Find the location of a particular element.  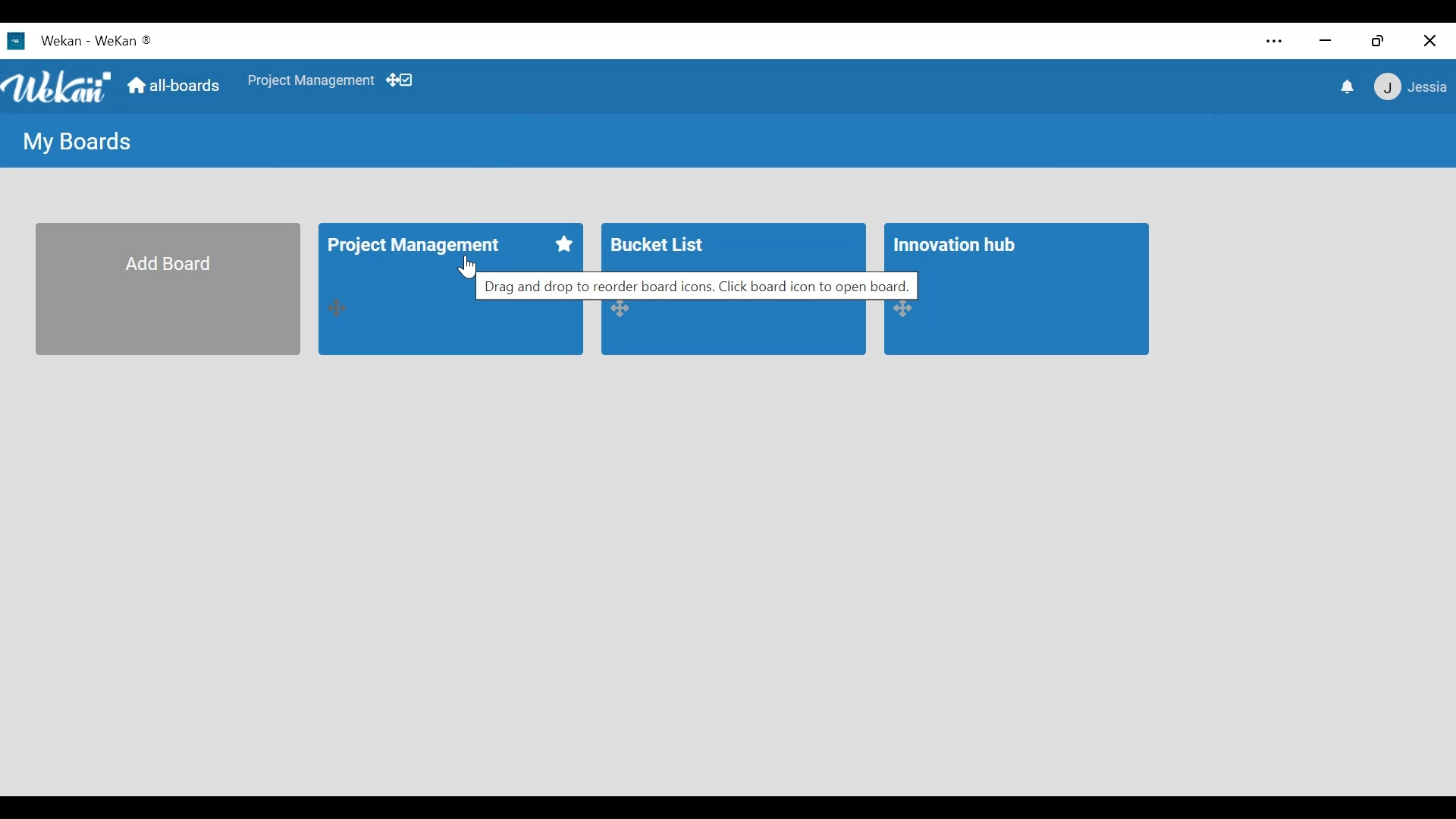

Project Management is located at coordinates (420, 246).